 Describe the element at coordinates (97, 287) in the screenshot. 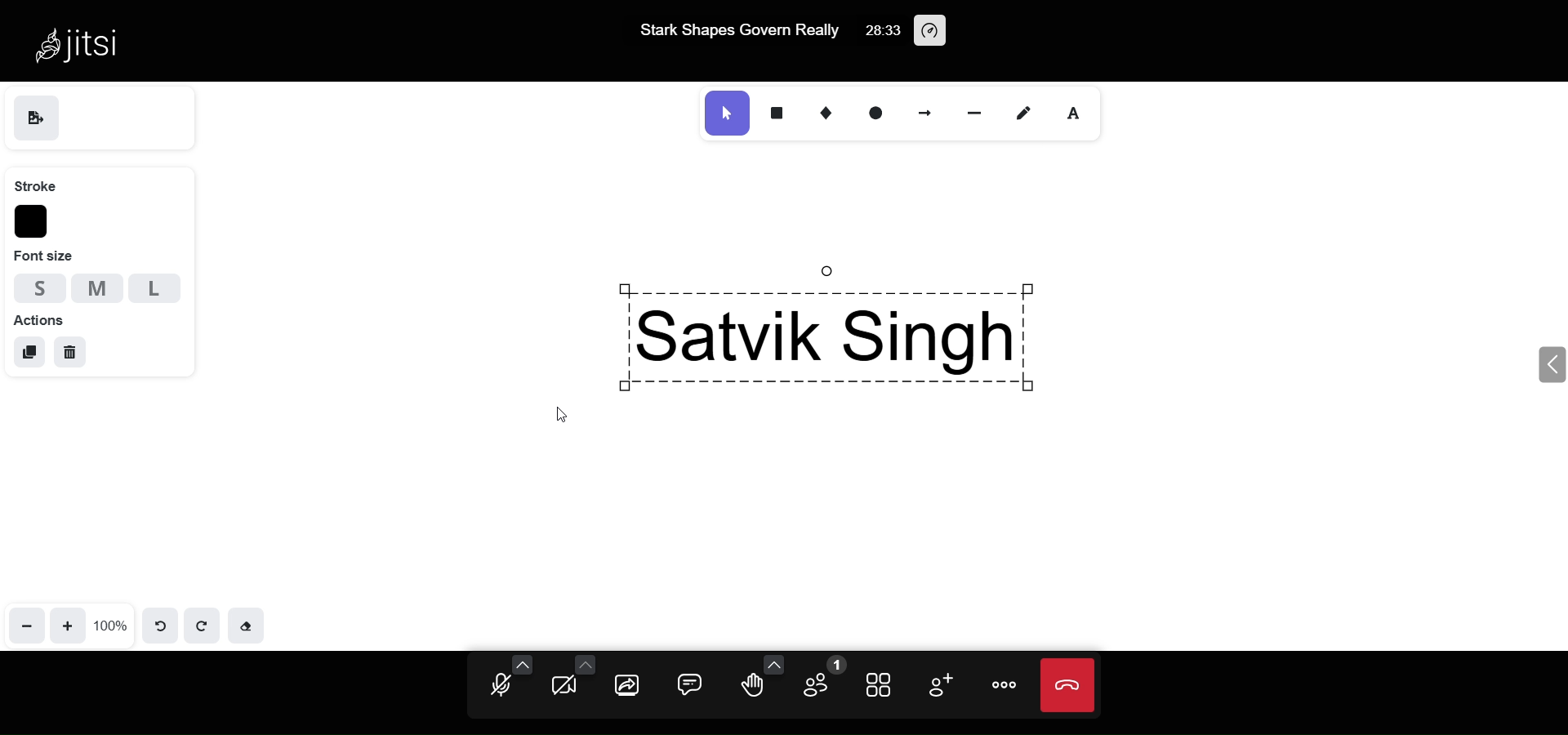

I see `medium` at that location.